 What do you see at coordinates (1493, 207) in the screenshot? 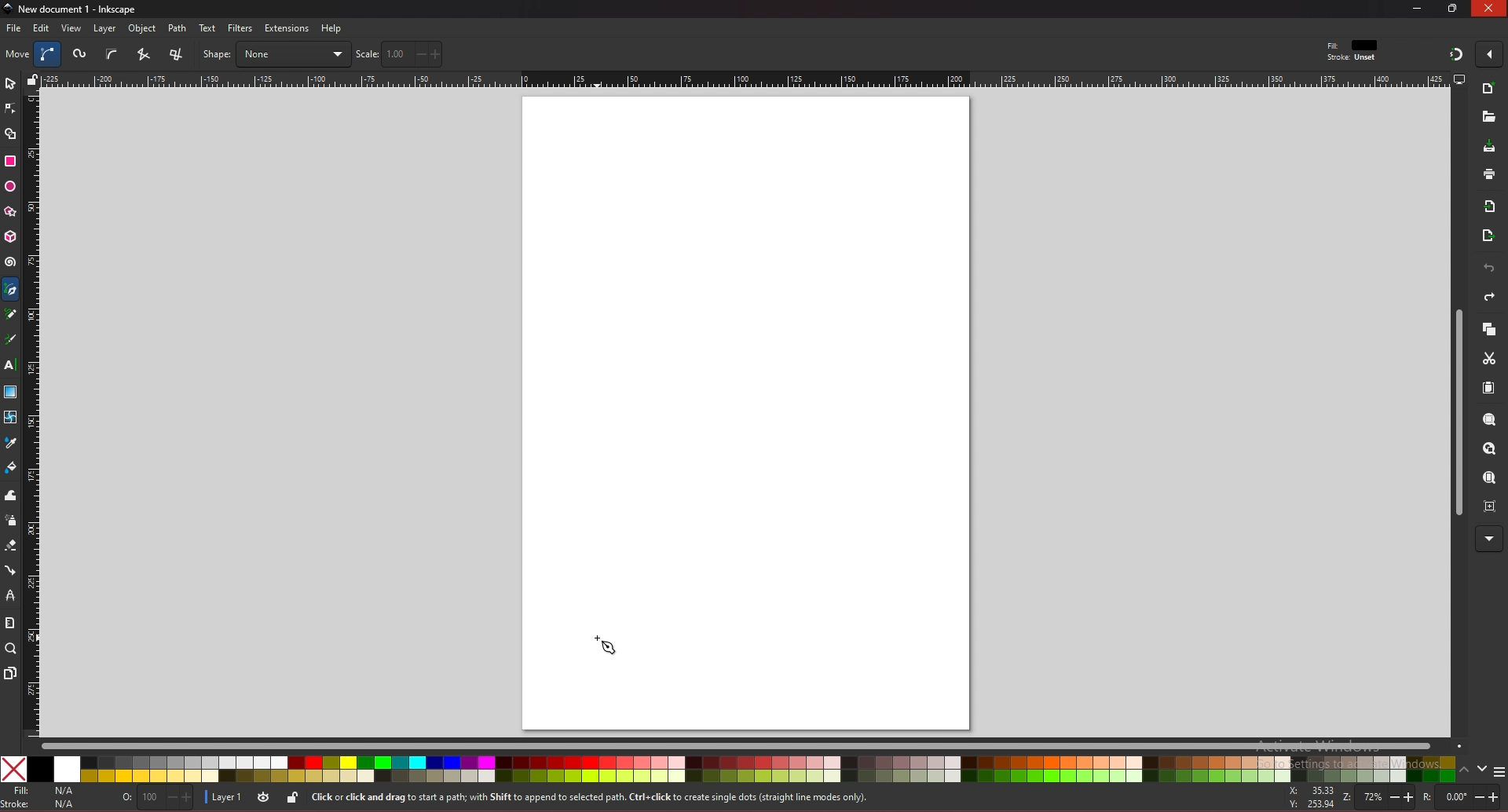
I see `import` at bounding box center [1493, 207].